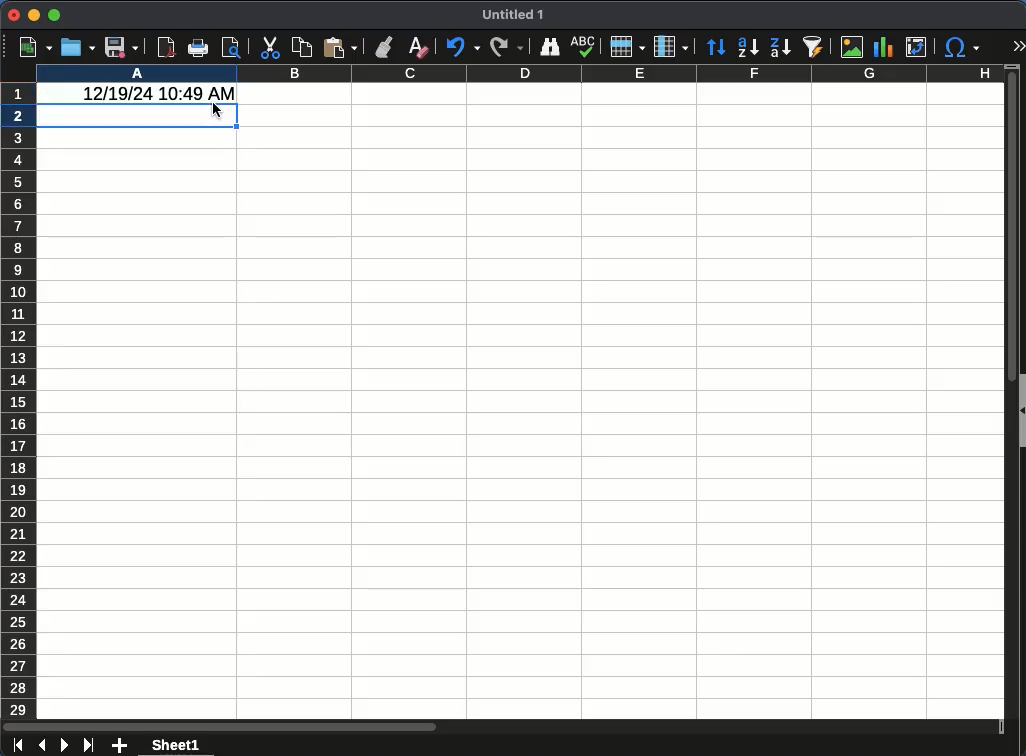 The image size is (1026, 756). What do you see at coordinates (339, 48) in the screenshot?
I see `paste` at bounding box center [339, 48].